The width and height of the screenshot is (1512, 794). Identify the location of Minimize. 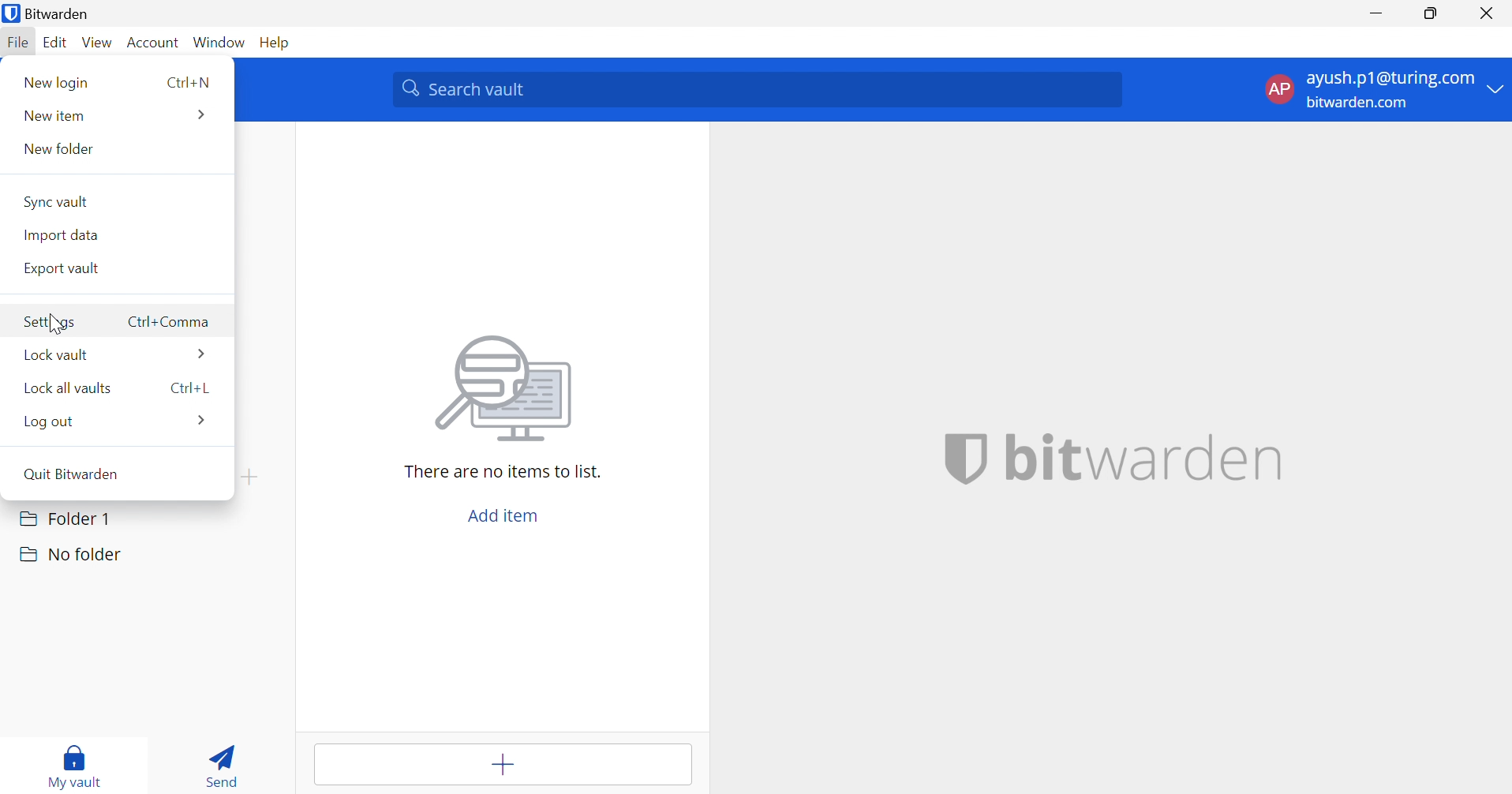
(1377, 12).